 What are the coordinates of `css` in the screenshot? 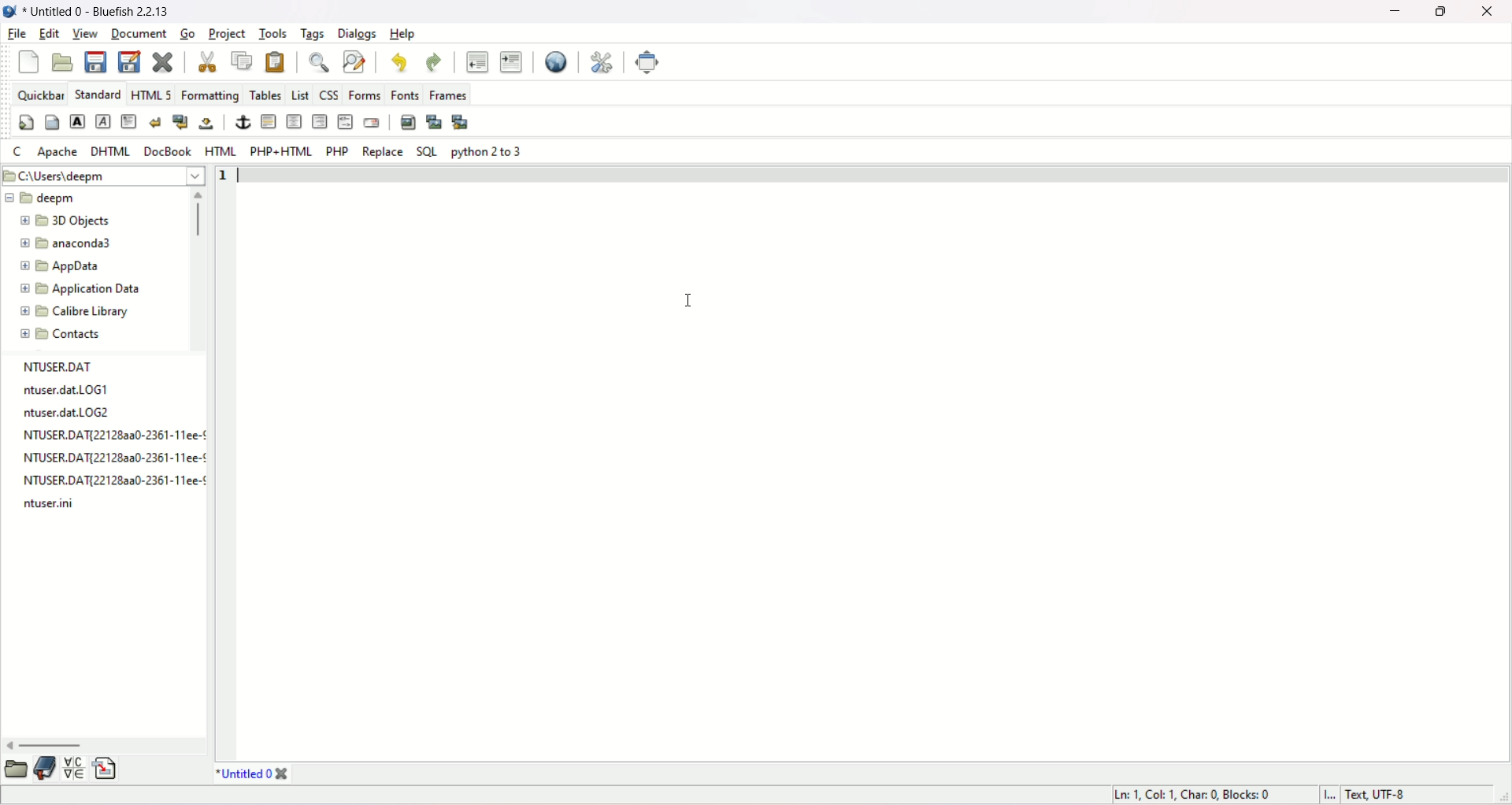 It's located at (326, 95).